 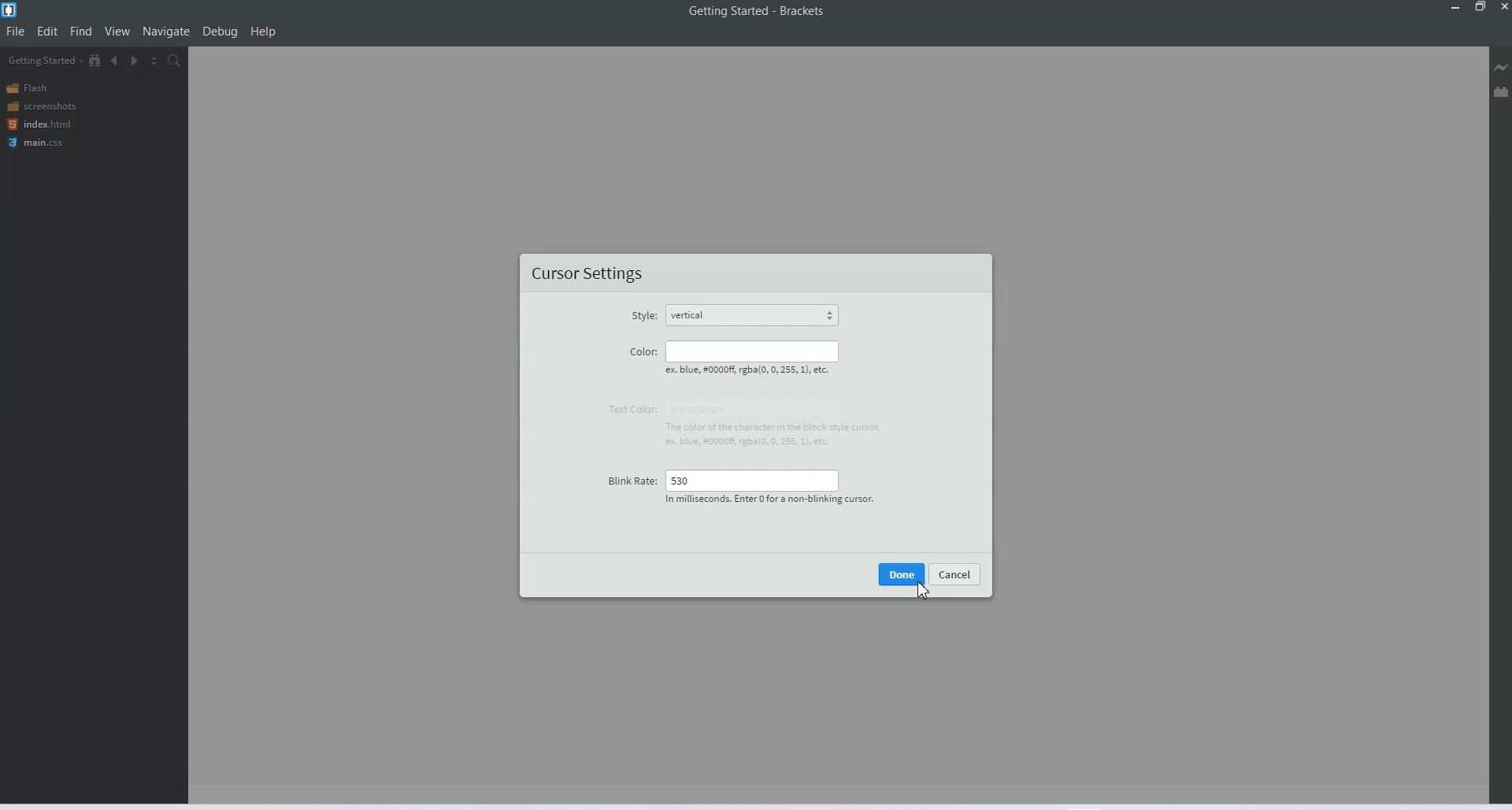 I want to click on in milliseconds. enter 0 for a non blinking cursor, so click(x=770, y=500).